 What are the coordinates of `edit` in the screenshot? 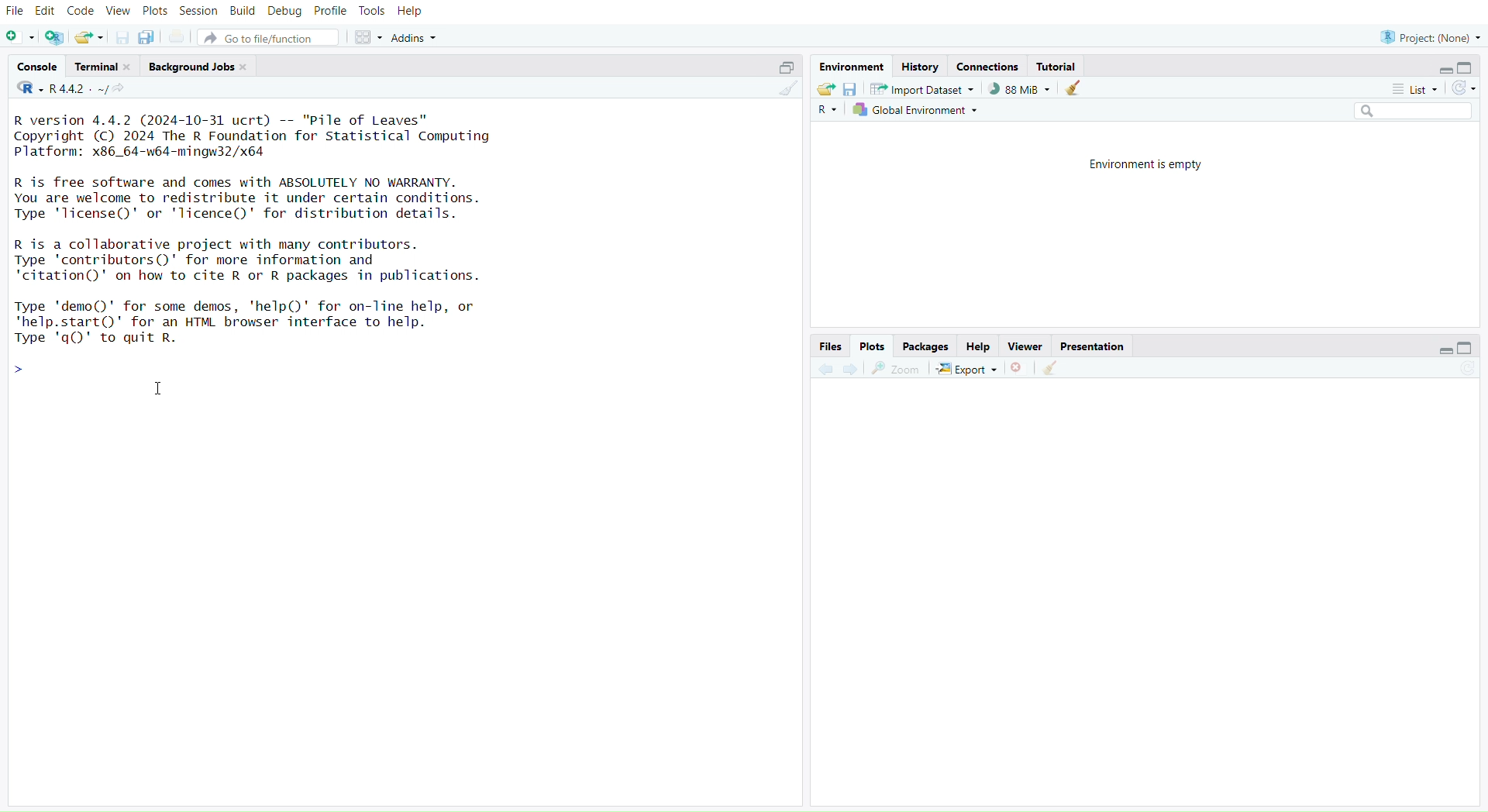 It's located at (48, 12).